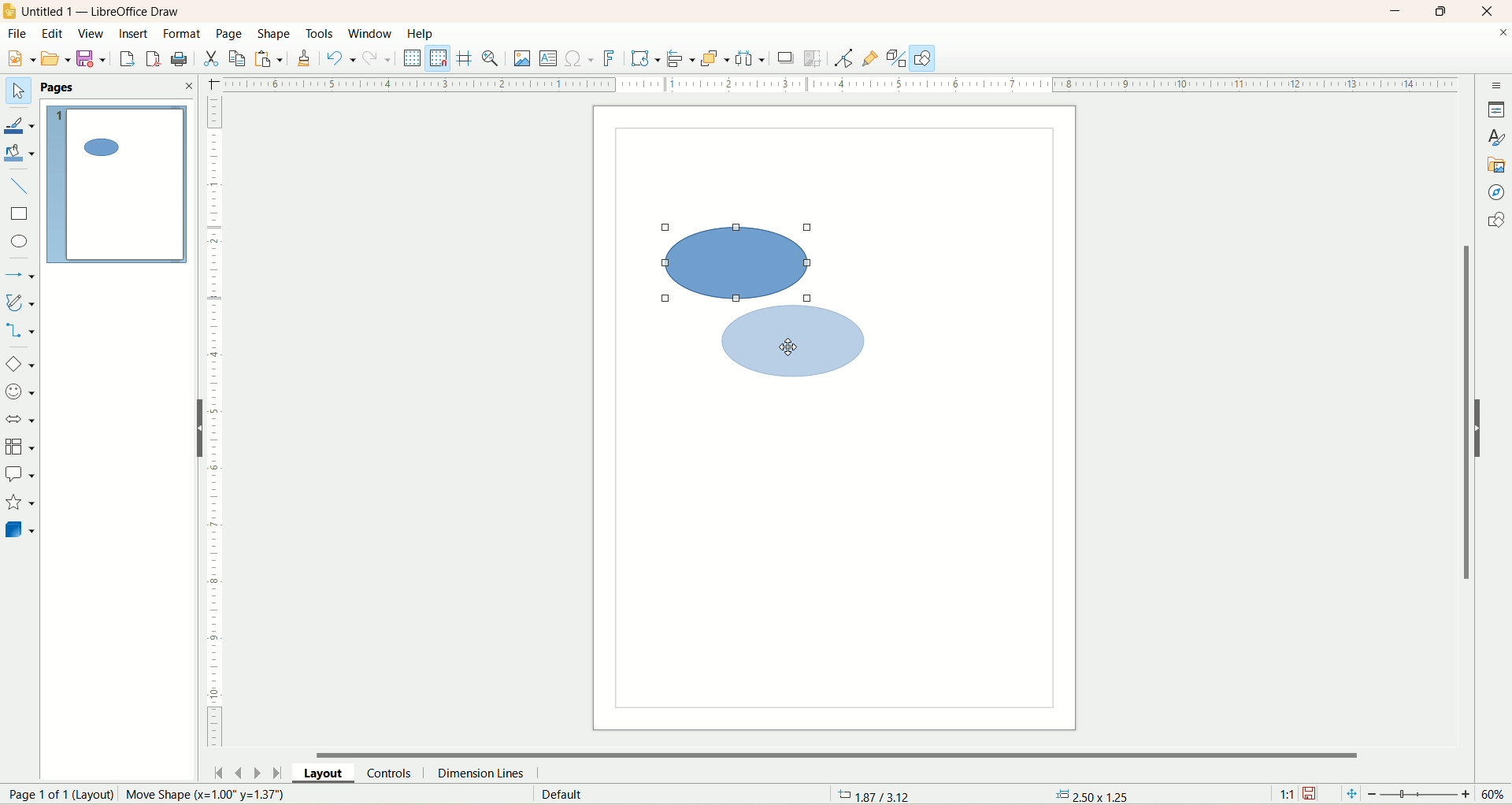 Image resolution: width=1512 pixels, height=805 pixels. What do you see at coordinates (784, 60) in the screenshot?
I see `shadow` at bounding box center [784, 60].